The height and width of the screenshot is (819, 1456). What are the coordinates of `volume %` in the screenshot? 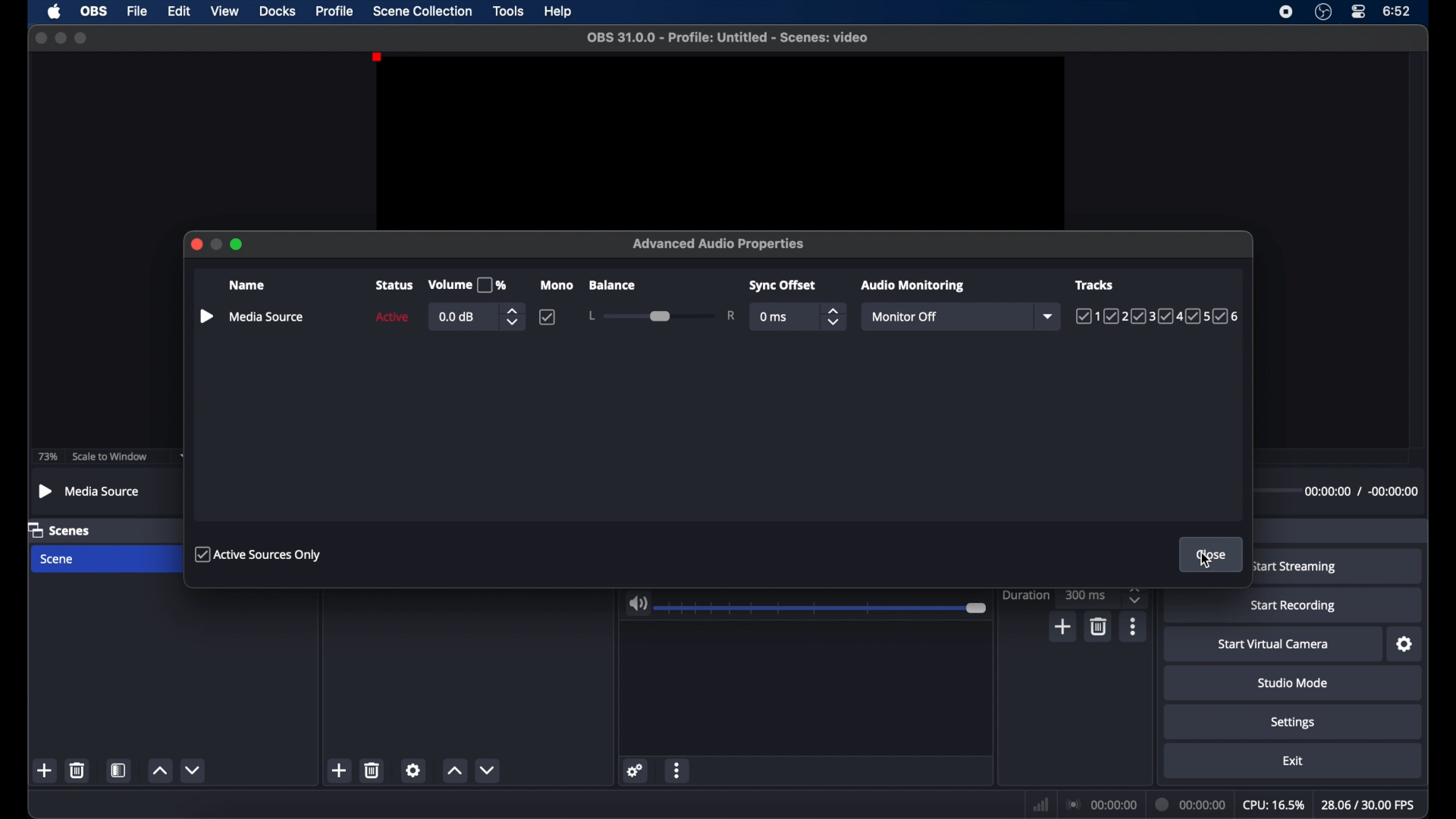 It's located at (467, 285).